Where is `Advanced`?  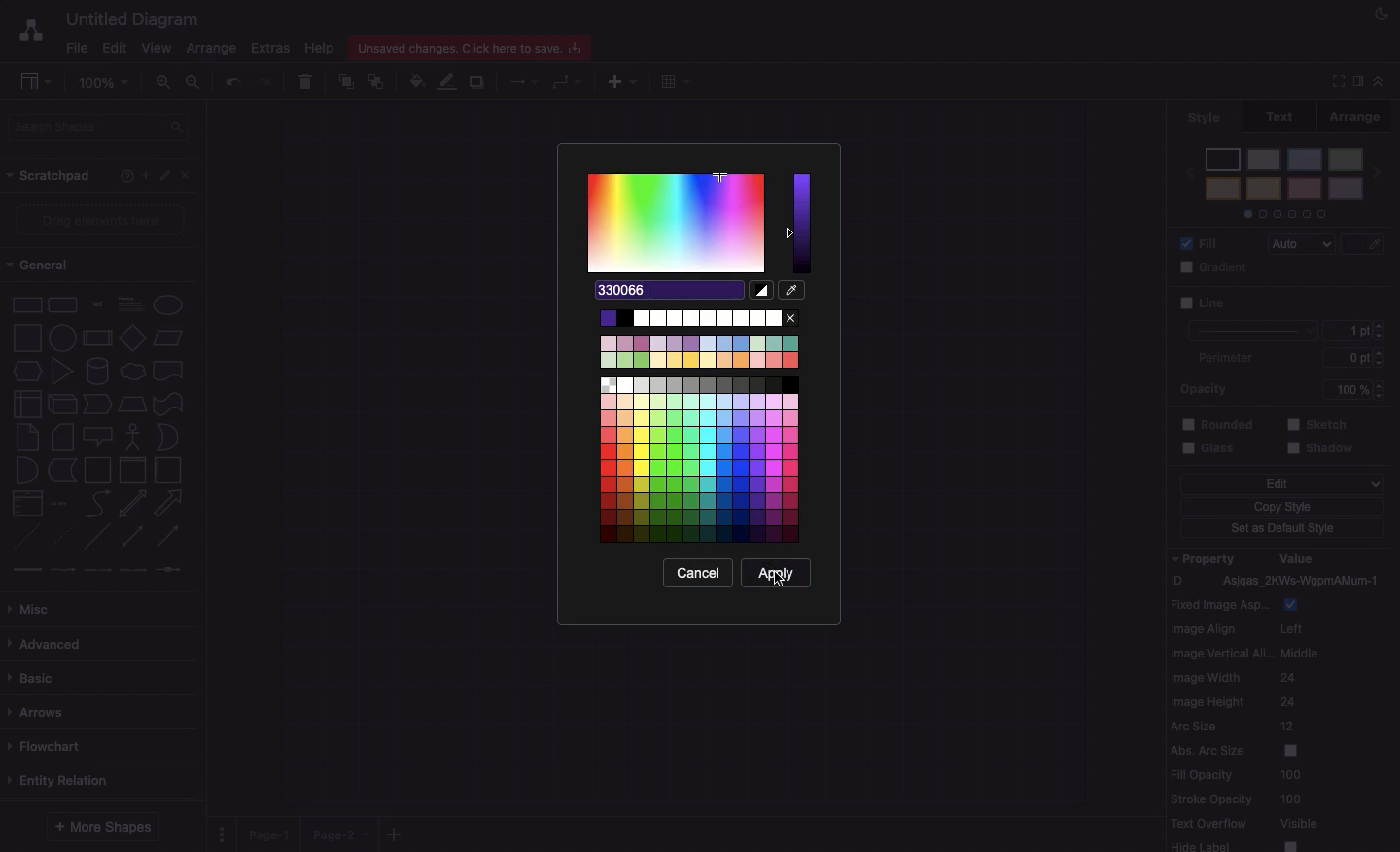
Advanced is located at coordinates (46, 641).